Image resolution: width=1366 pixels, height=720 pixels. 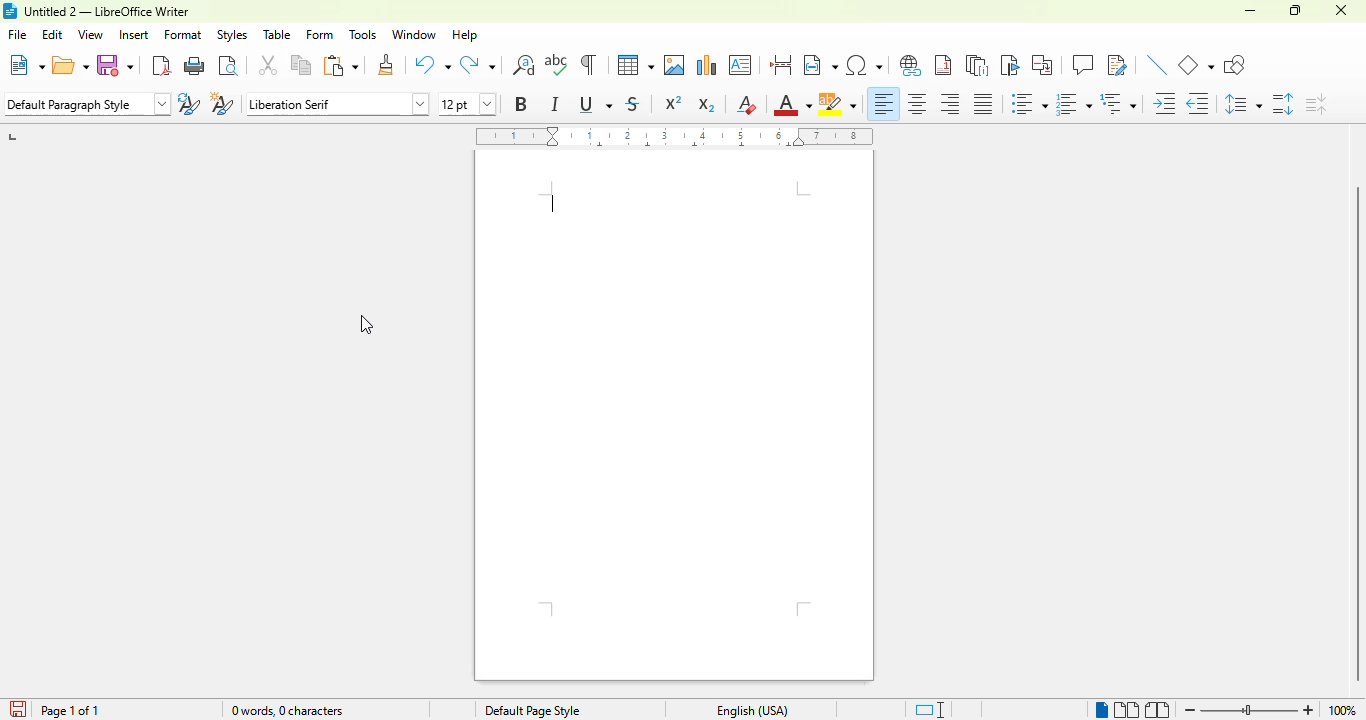 What do you see at coordinates (707, 65) in the screenshot?
I see `insert chart` at bounding box center [707, 65].